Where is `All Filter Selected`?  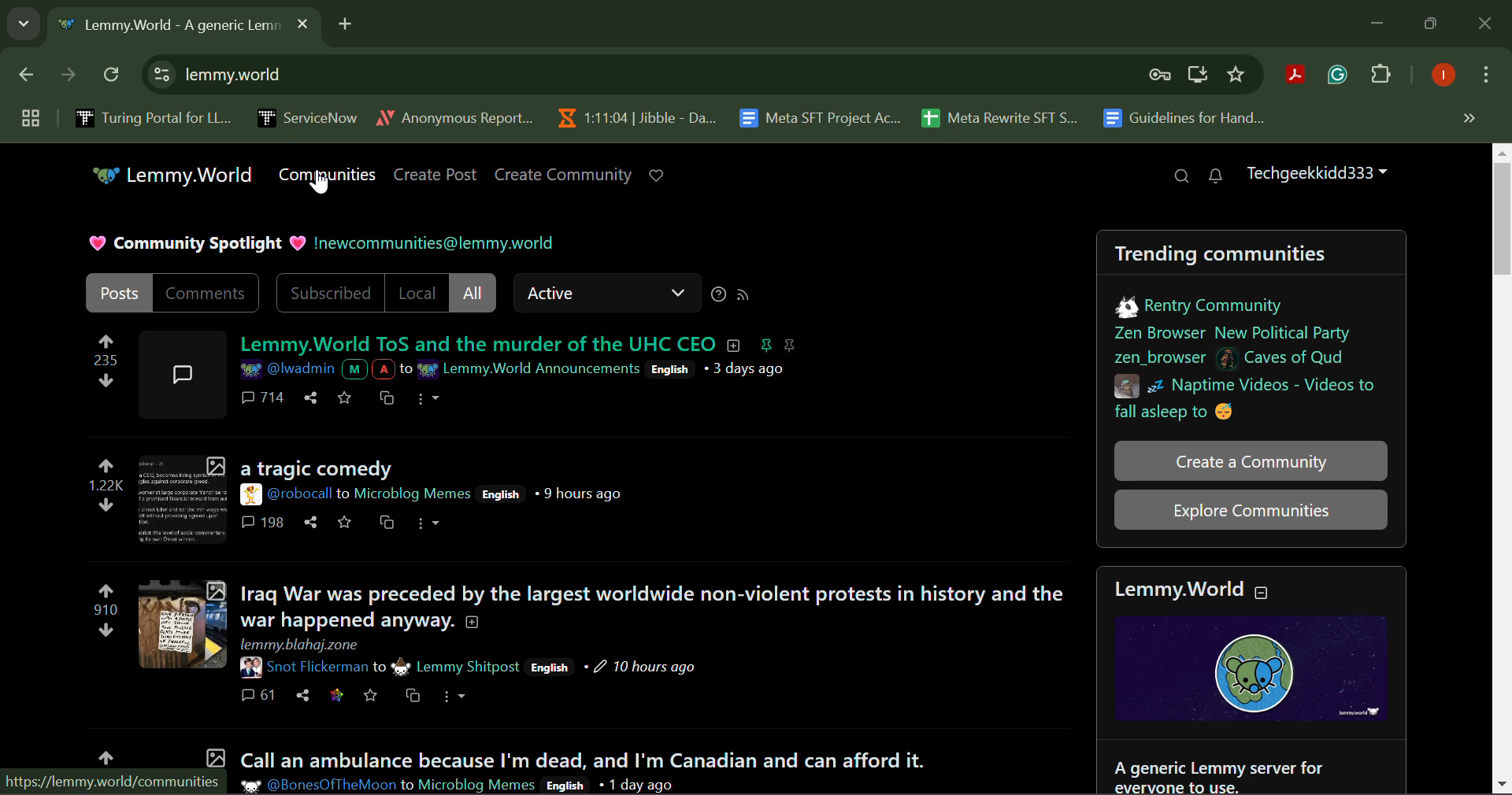
All Filter Selected is located at coordinates (473, 292).